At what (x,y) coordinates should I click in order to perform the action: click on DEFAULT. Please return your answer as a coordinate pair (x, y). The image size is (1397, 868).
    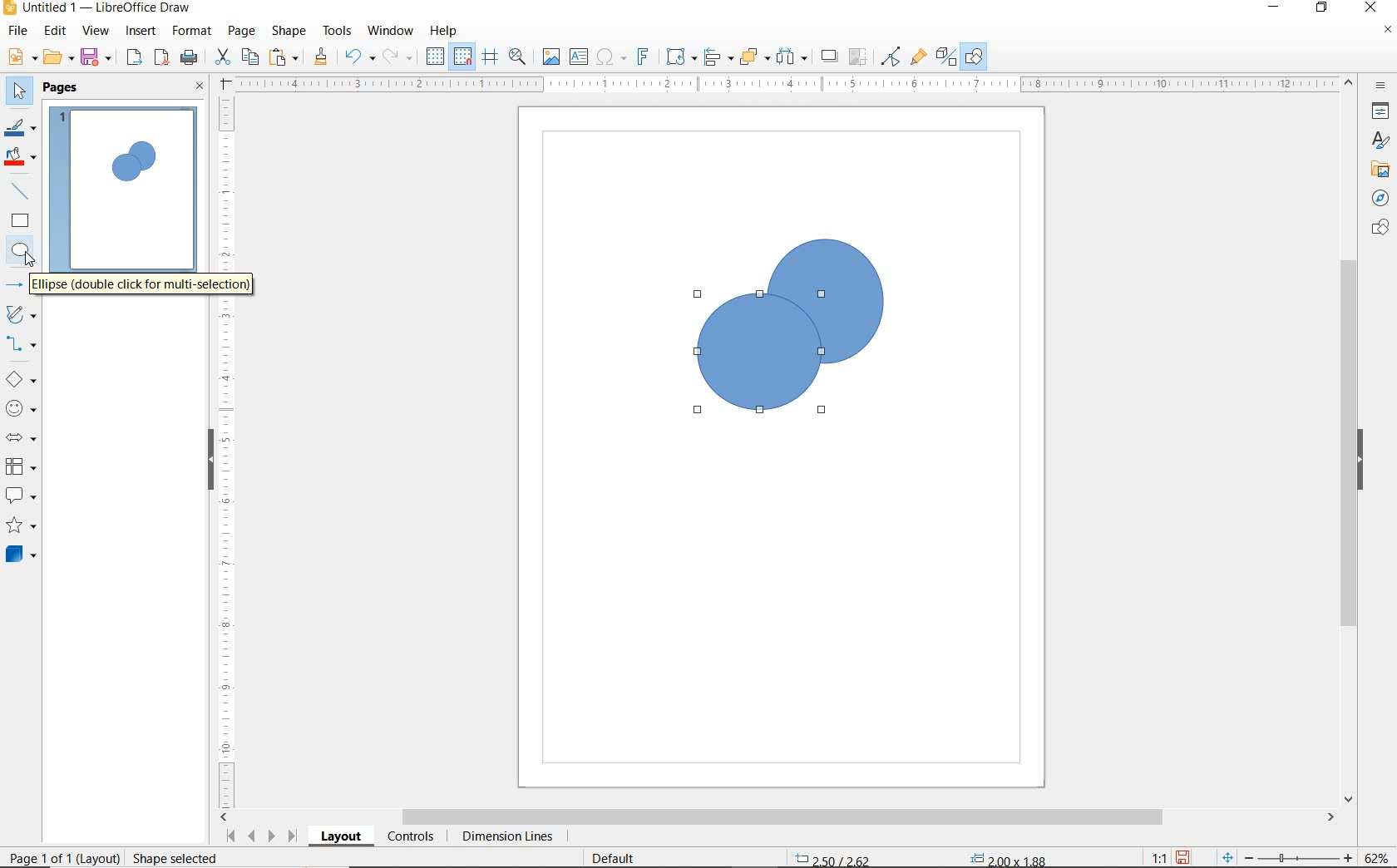
    Looking at the image, I should click on (619, 856).